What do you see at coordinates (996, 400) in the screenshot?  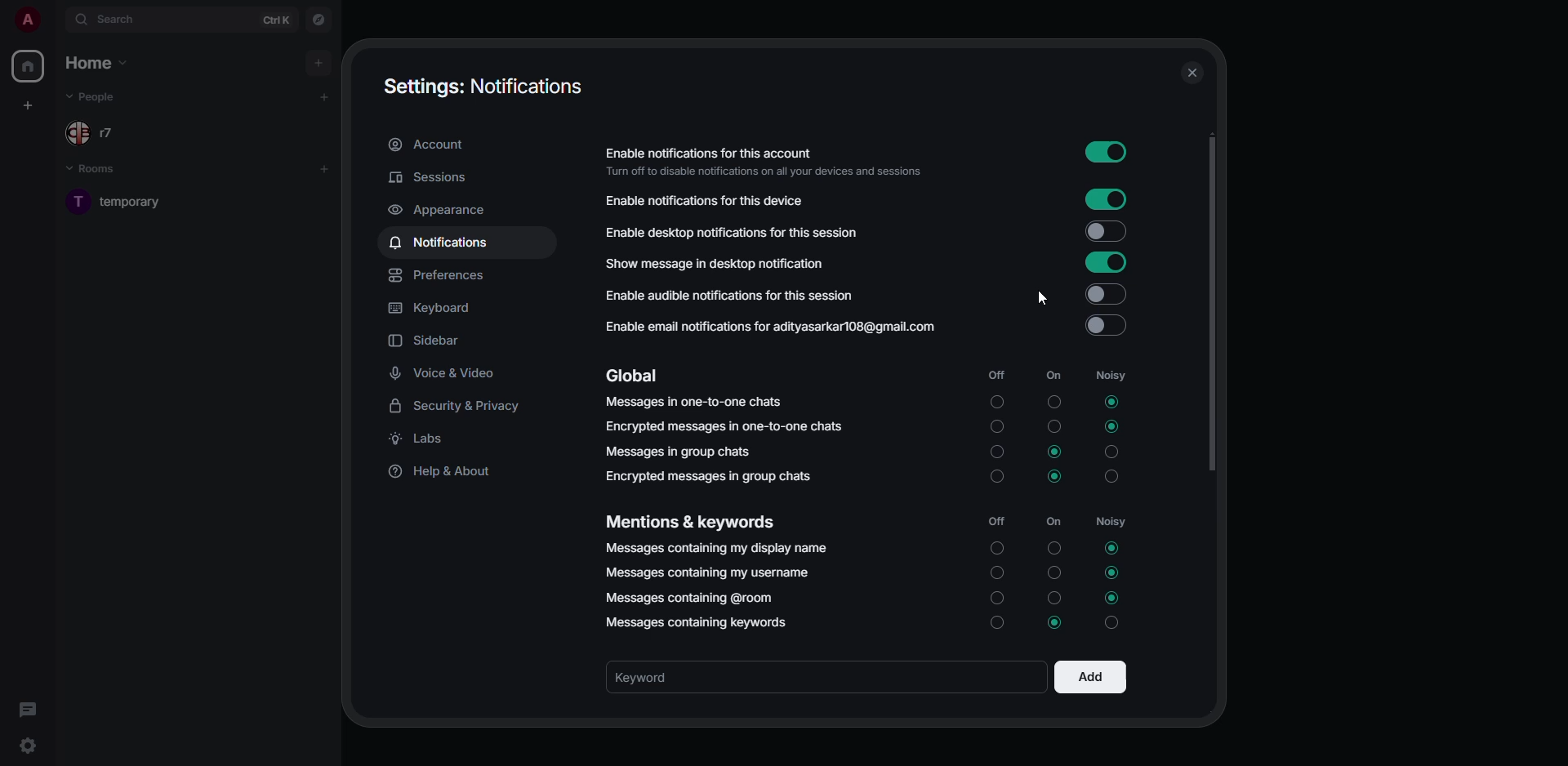 I see `` at bounding box center [996, 400].